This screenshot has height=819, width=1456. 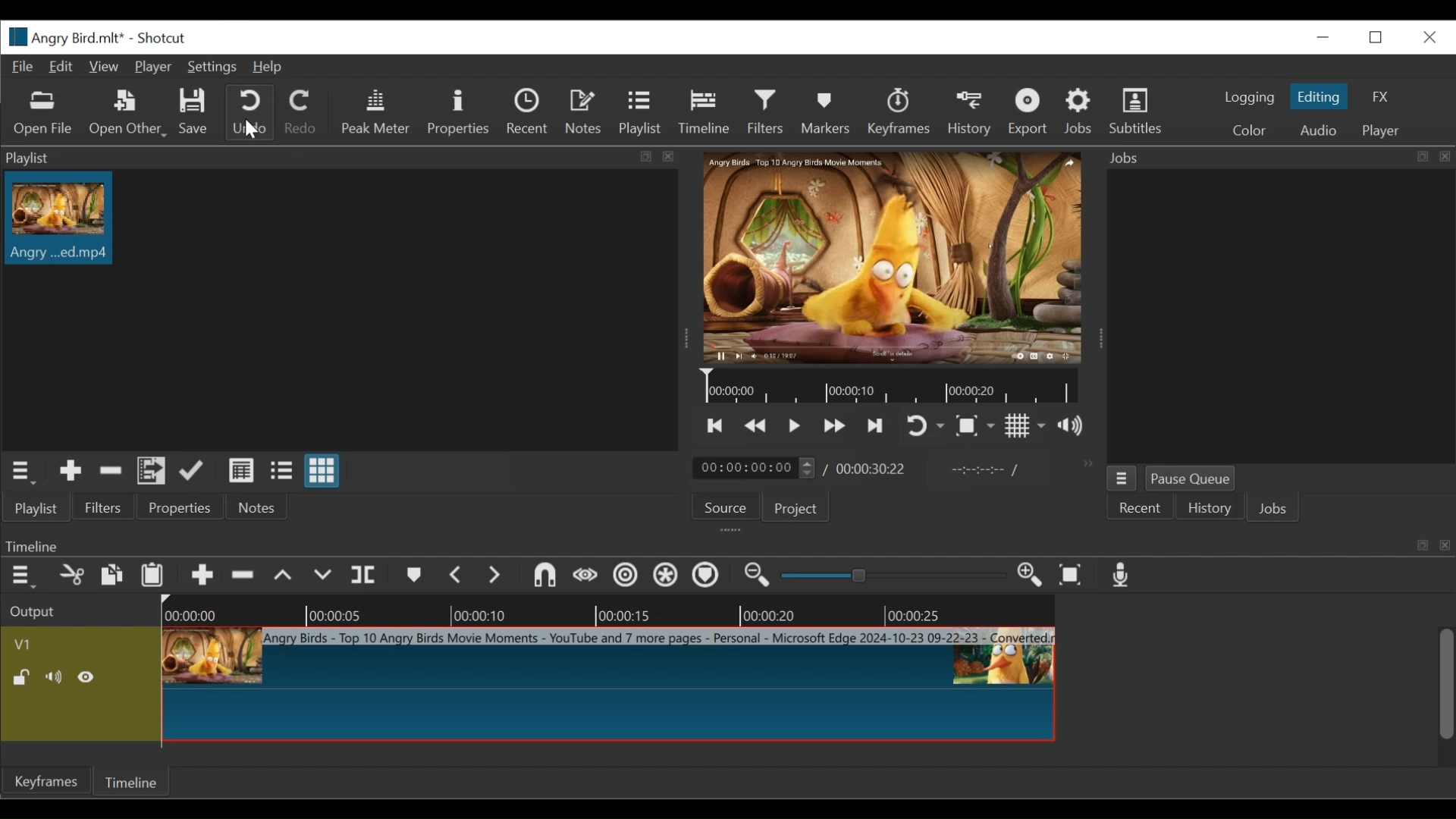 I want to click on Scrub while dragging, so click(x=586, y=578).